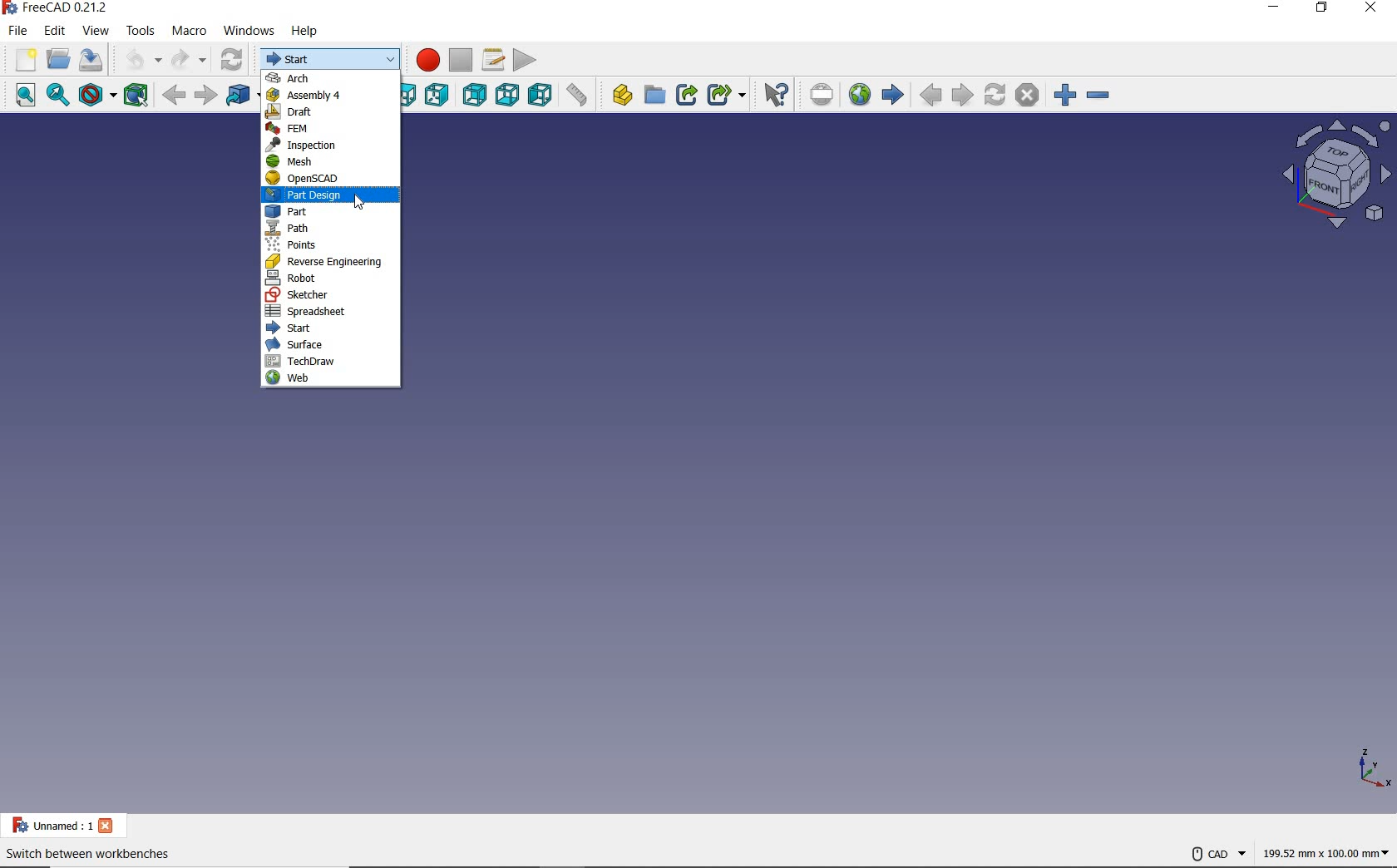  I want to click on INSPECTION, so click(327, 145).